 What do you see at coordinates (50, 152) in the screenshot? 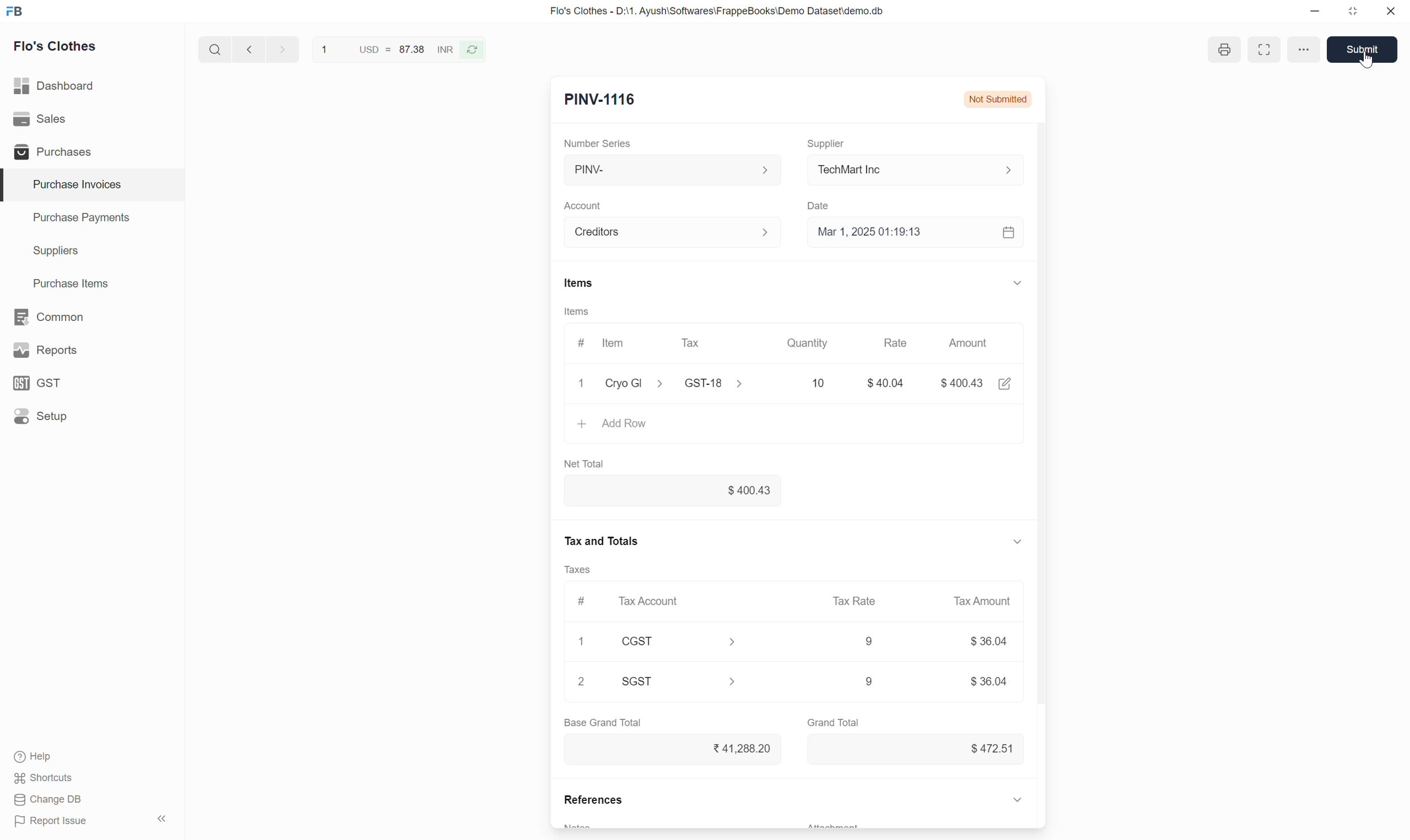
I see `Purchases` at bounding box center [50, 152].